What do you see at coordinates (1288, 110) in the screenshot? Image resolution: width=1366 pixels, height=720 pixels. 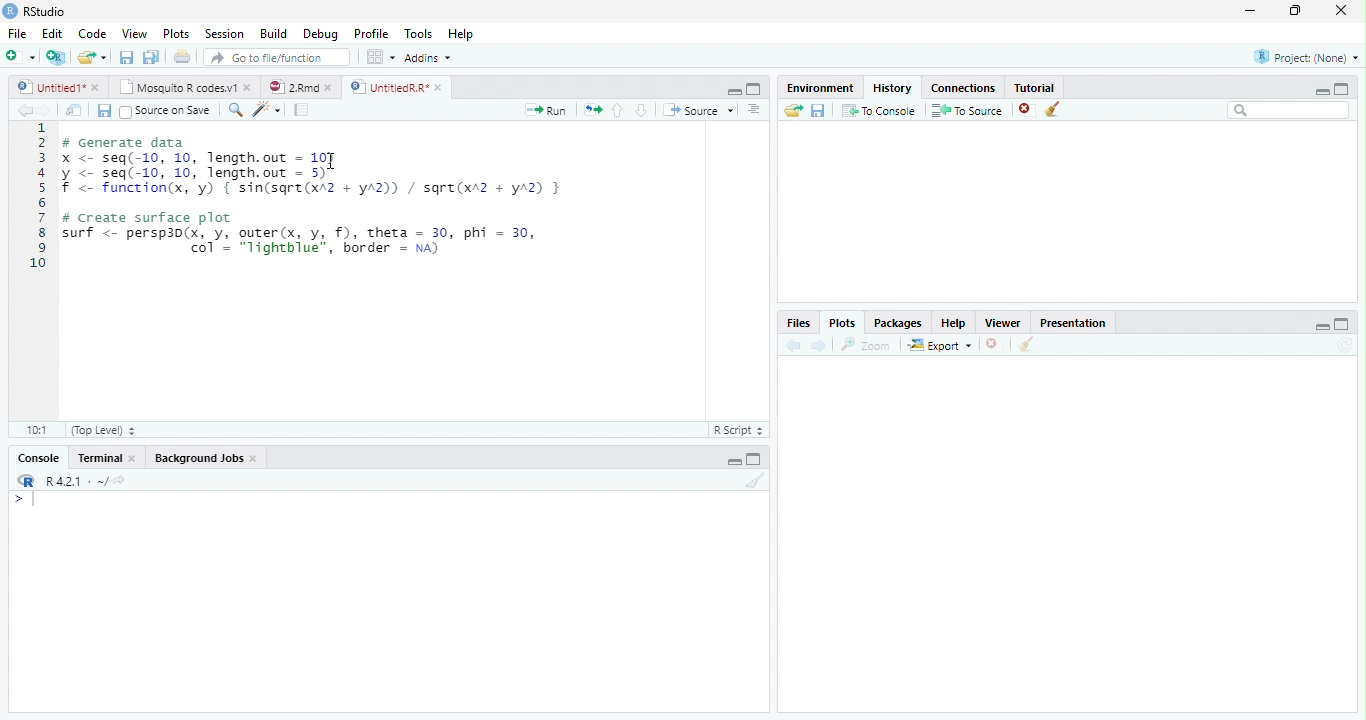 I see `Search bar` at bounding box center [1288, 110].